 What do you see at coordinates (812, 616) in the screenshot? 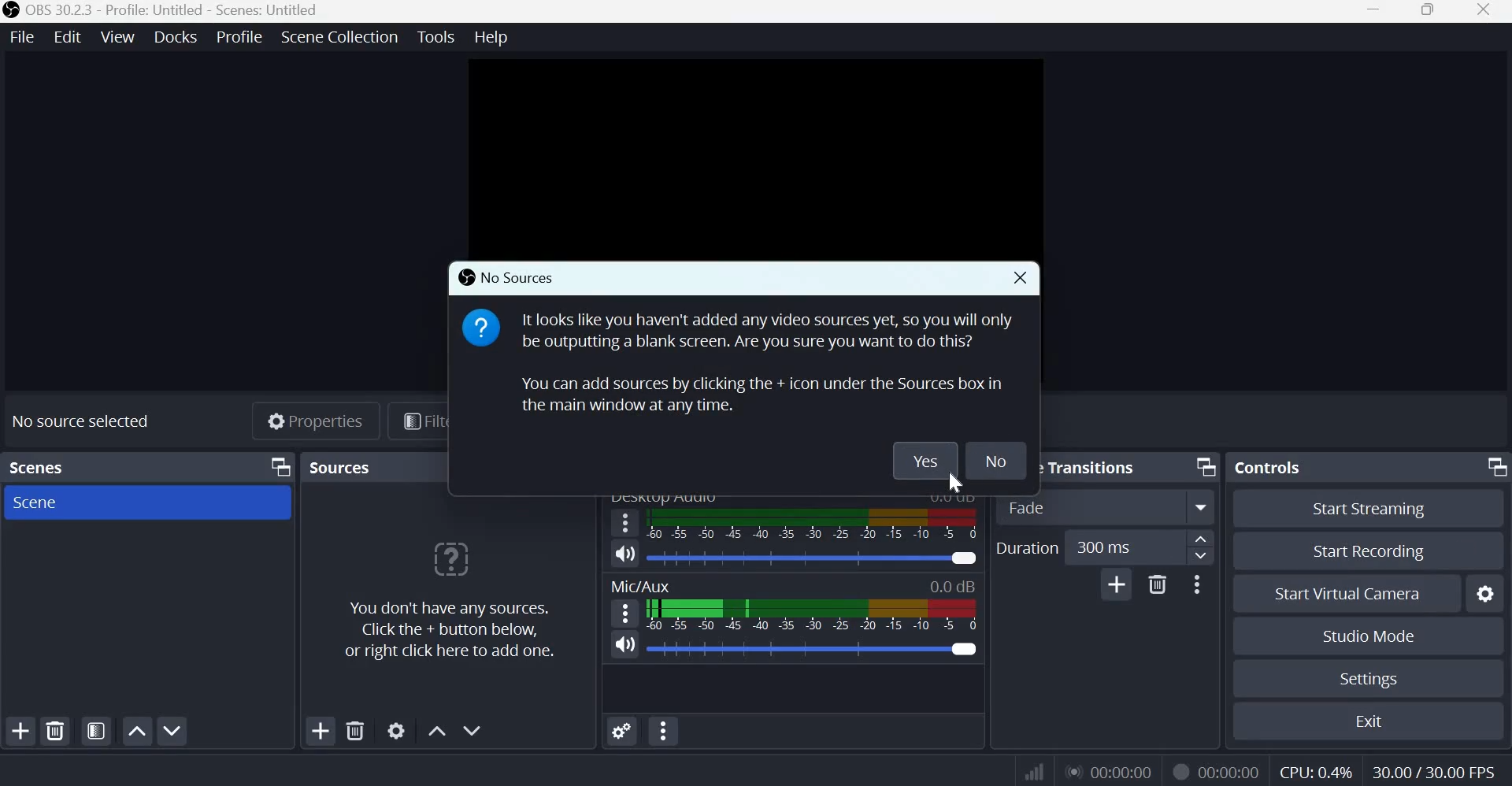
I see `Volume Meter` at bounding box center [812, 616].